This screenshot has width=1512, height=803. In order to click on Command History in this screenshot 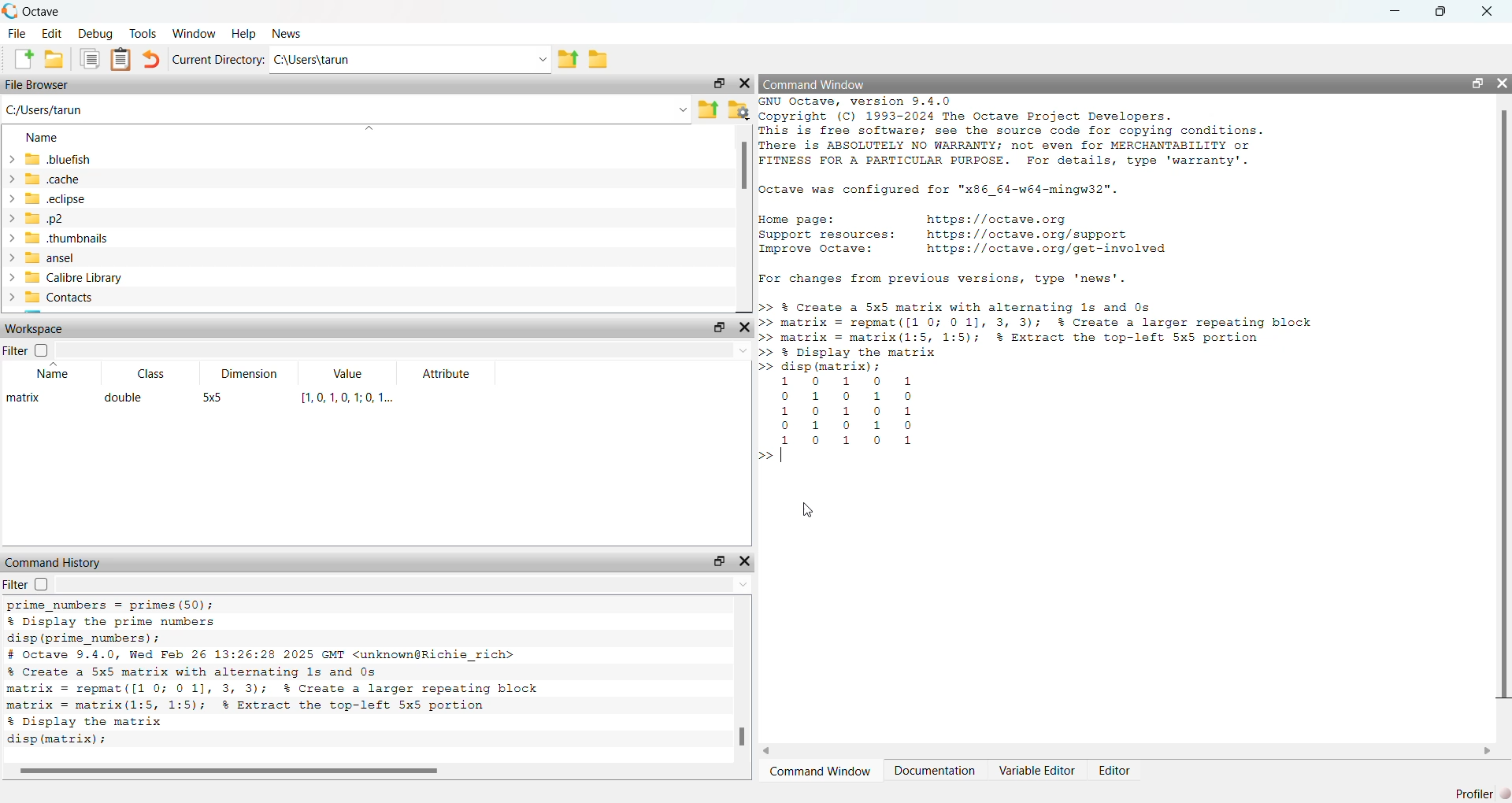, I will do `click(54, 563)`.